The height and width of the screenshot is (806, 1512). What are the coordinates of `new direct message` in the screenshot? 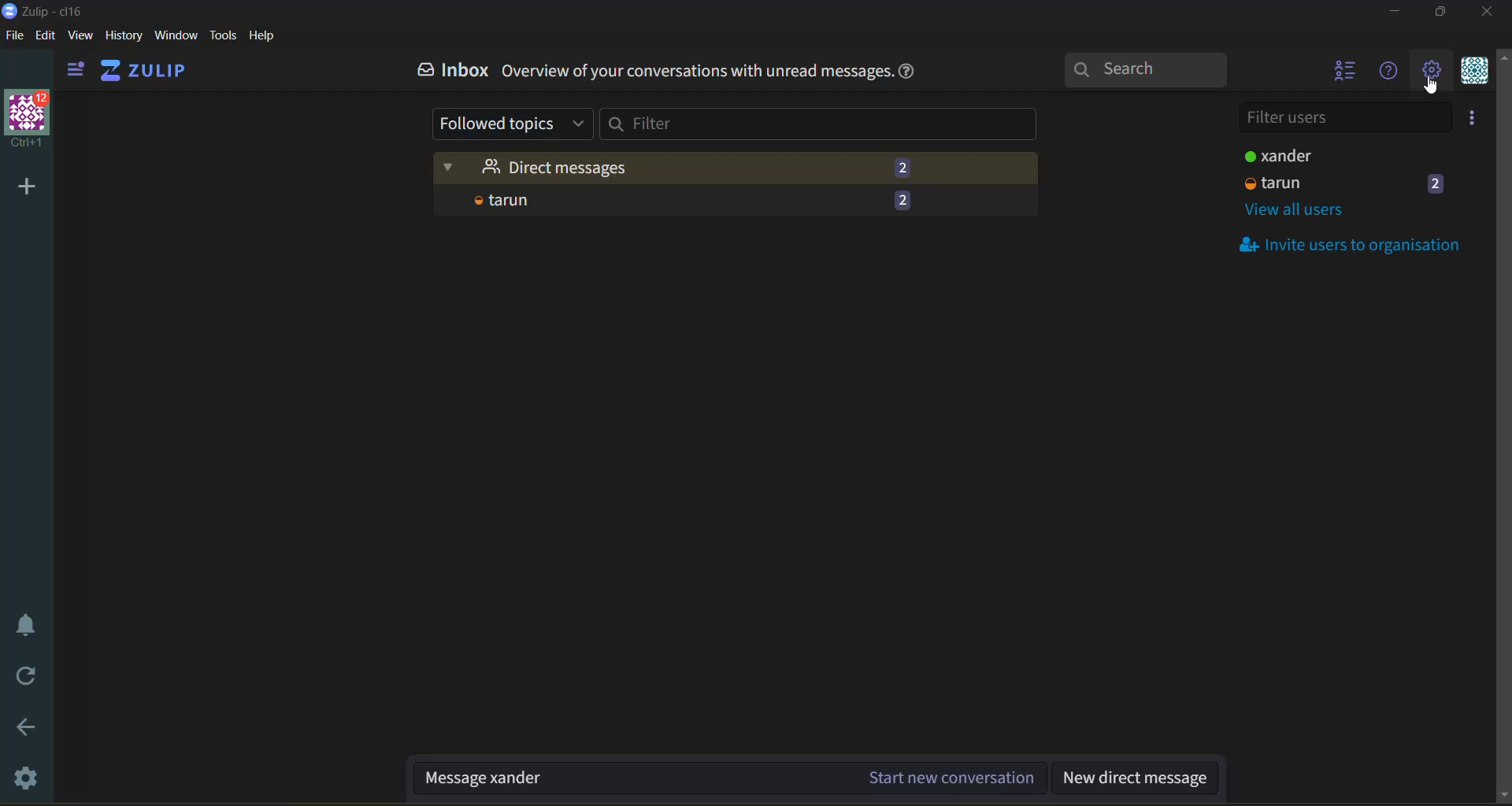 It's located at (1136, 779).